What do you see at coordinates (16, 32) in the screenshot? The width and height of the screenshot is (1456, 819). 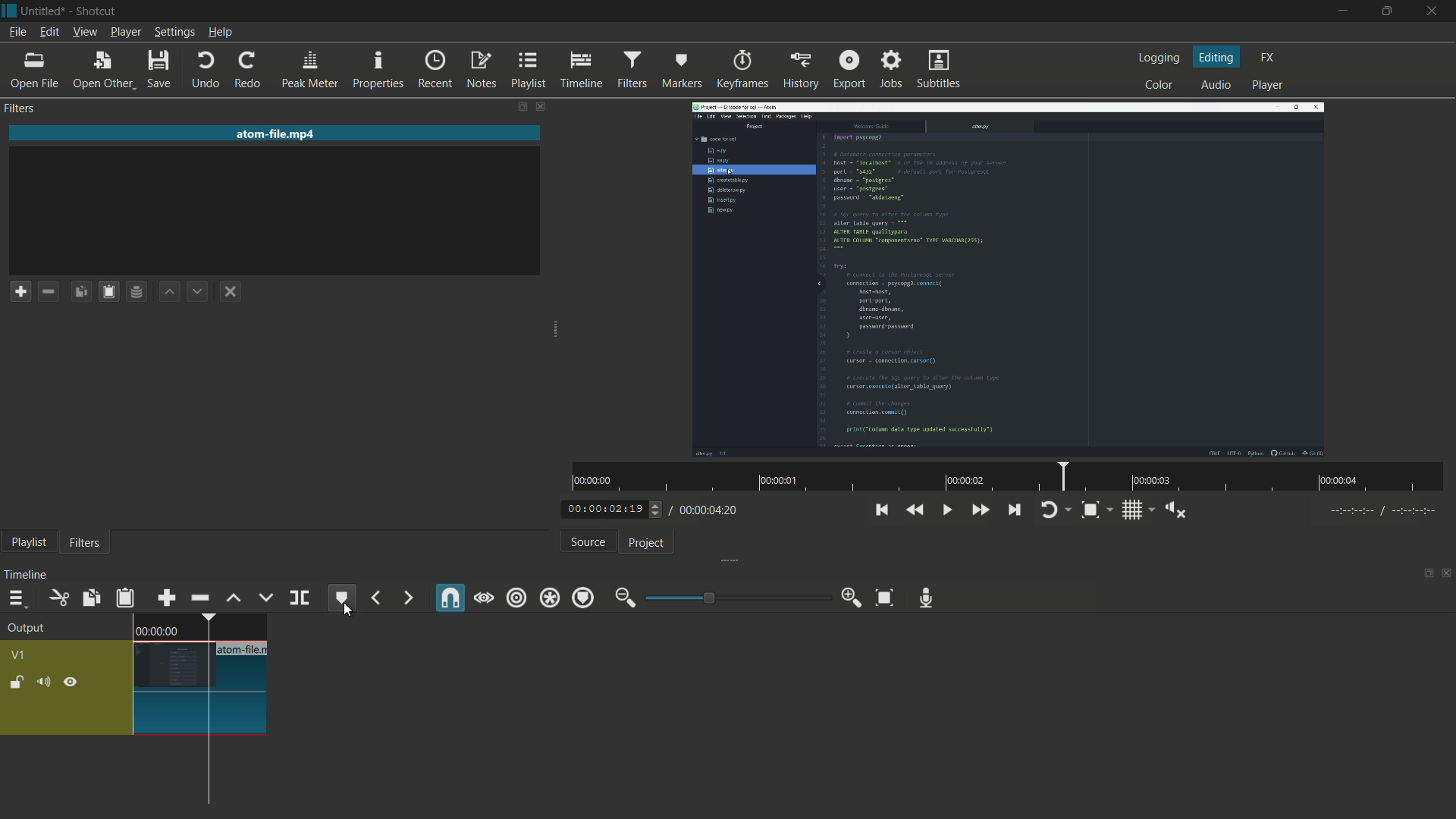 I see `file menu` at bounding box center [16, 32].